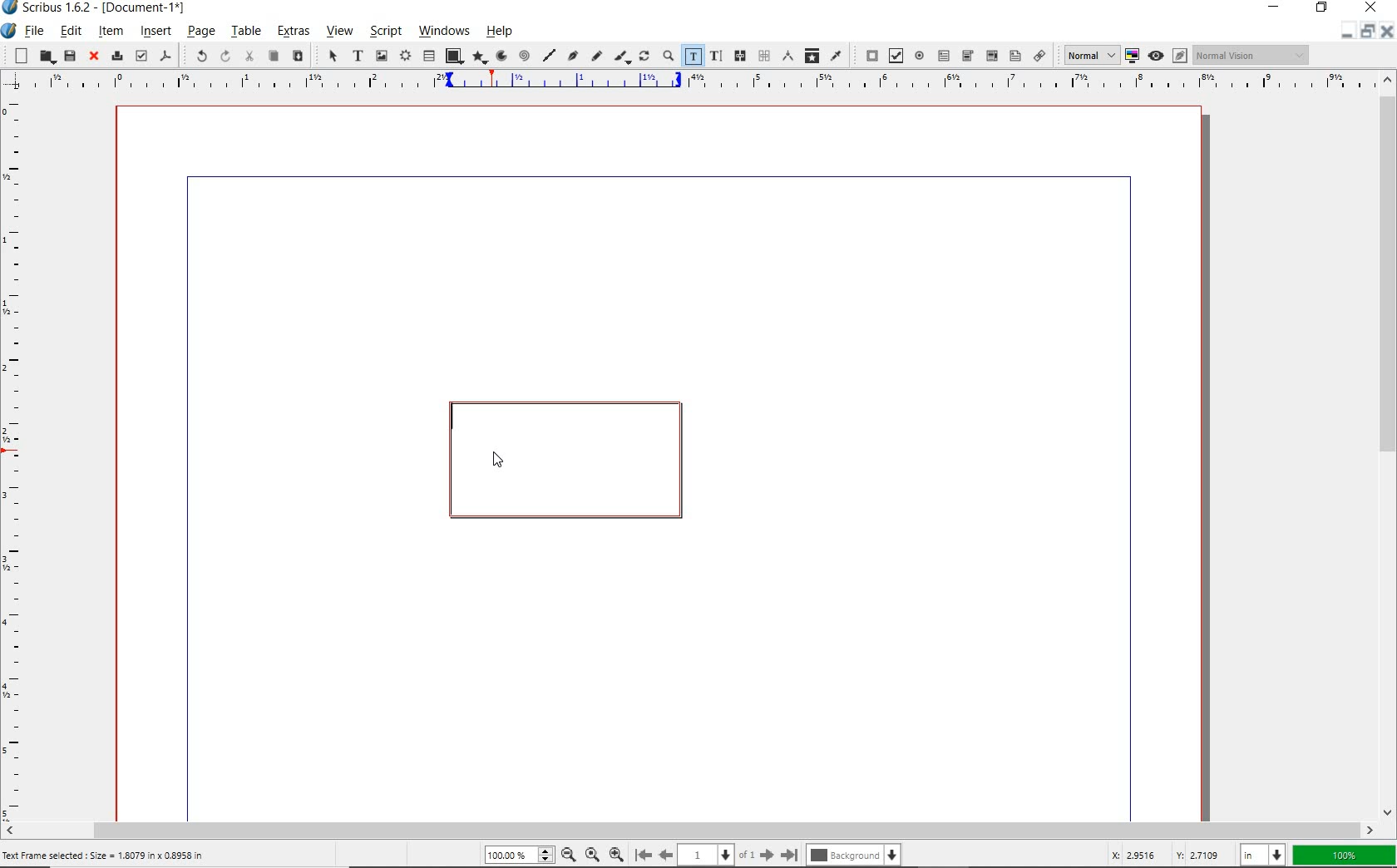 The width and height of the screenshot is (1397, 868). Describe the element at coordinates (1253, 57) in the screenshot. I see `Normal Vision` at that location.